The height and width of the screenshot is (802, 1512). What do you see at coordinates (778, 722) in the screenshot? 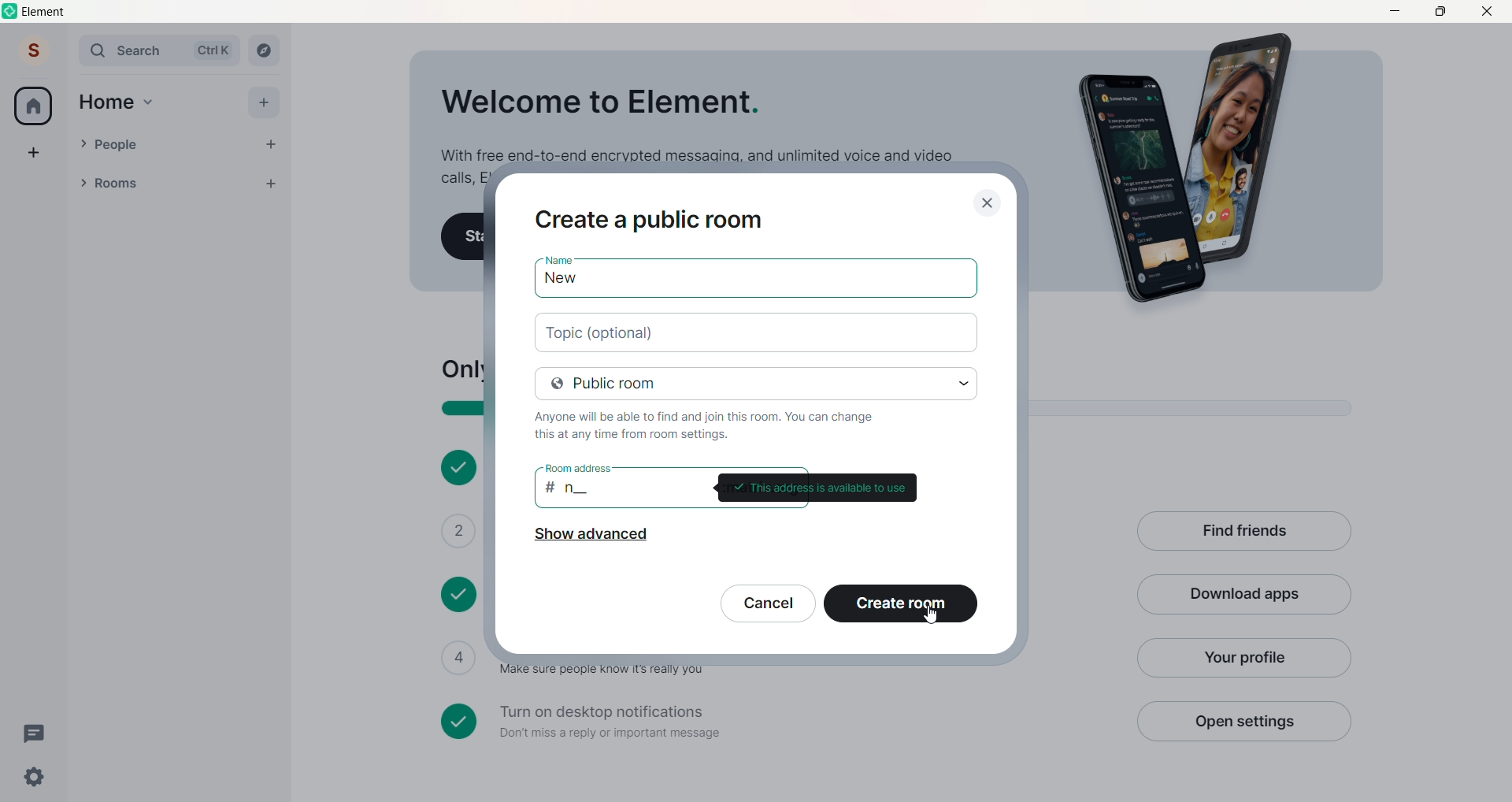
I see `Turn on desktop notifications
Don't miss a reply or important message` at bounding box center [778, 722].